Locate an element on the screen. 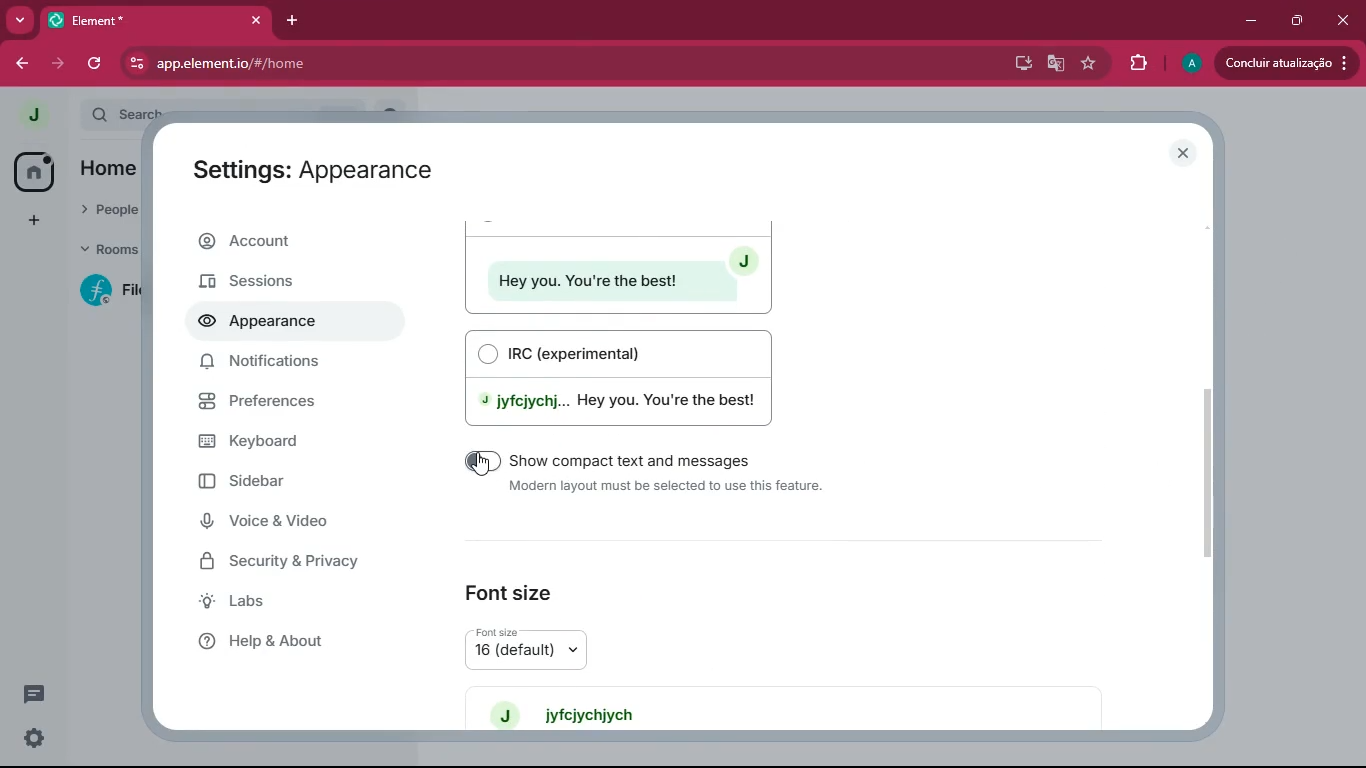 The width and height of the screenshot is (1366, 768). more is located at coordinates (22, 21).